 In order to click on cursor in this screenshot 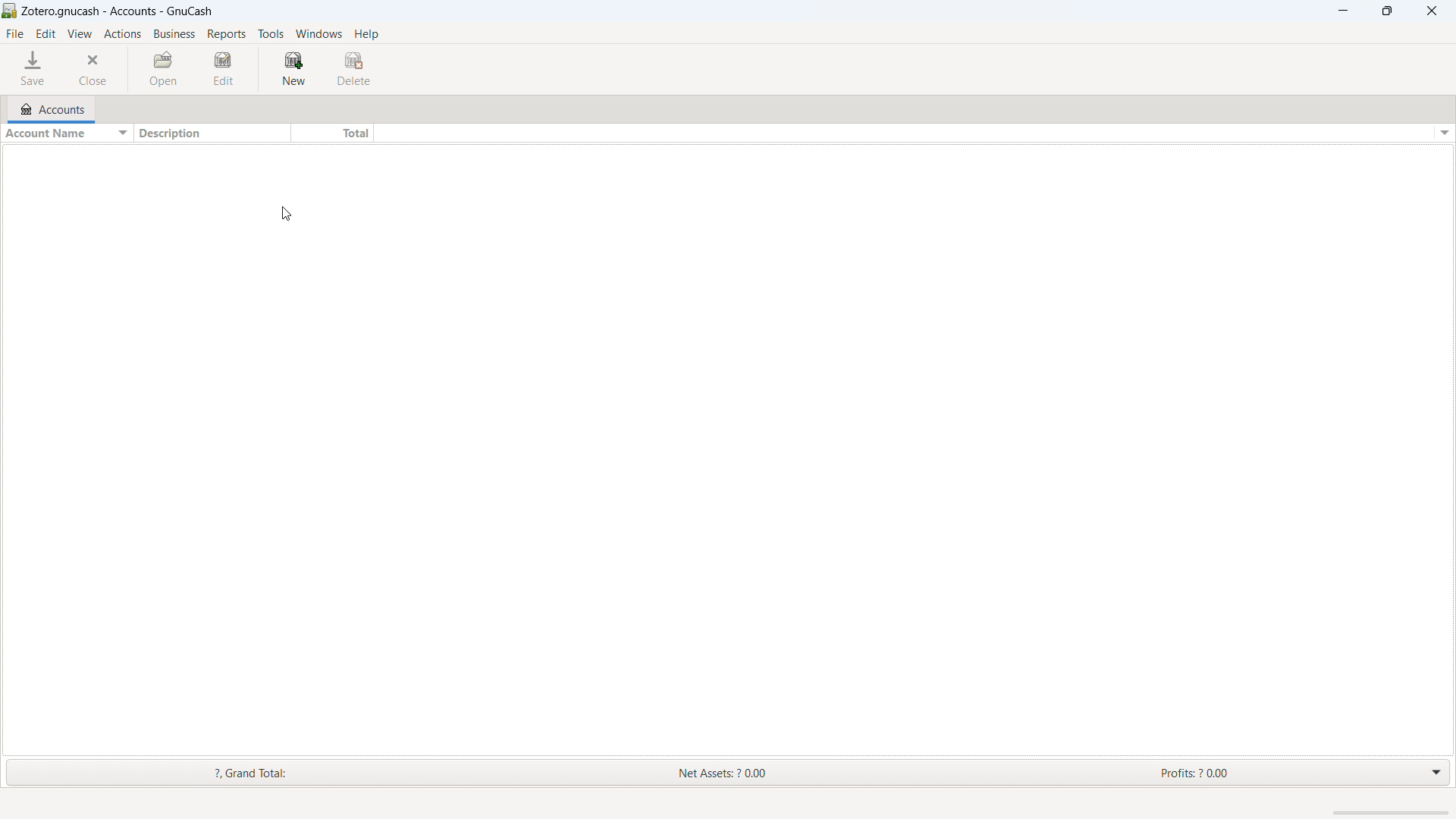, I will do `click(287, 215)`.